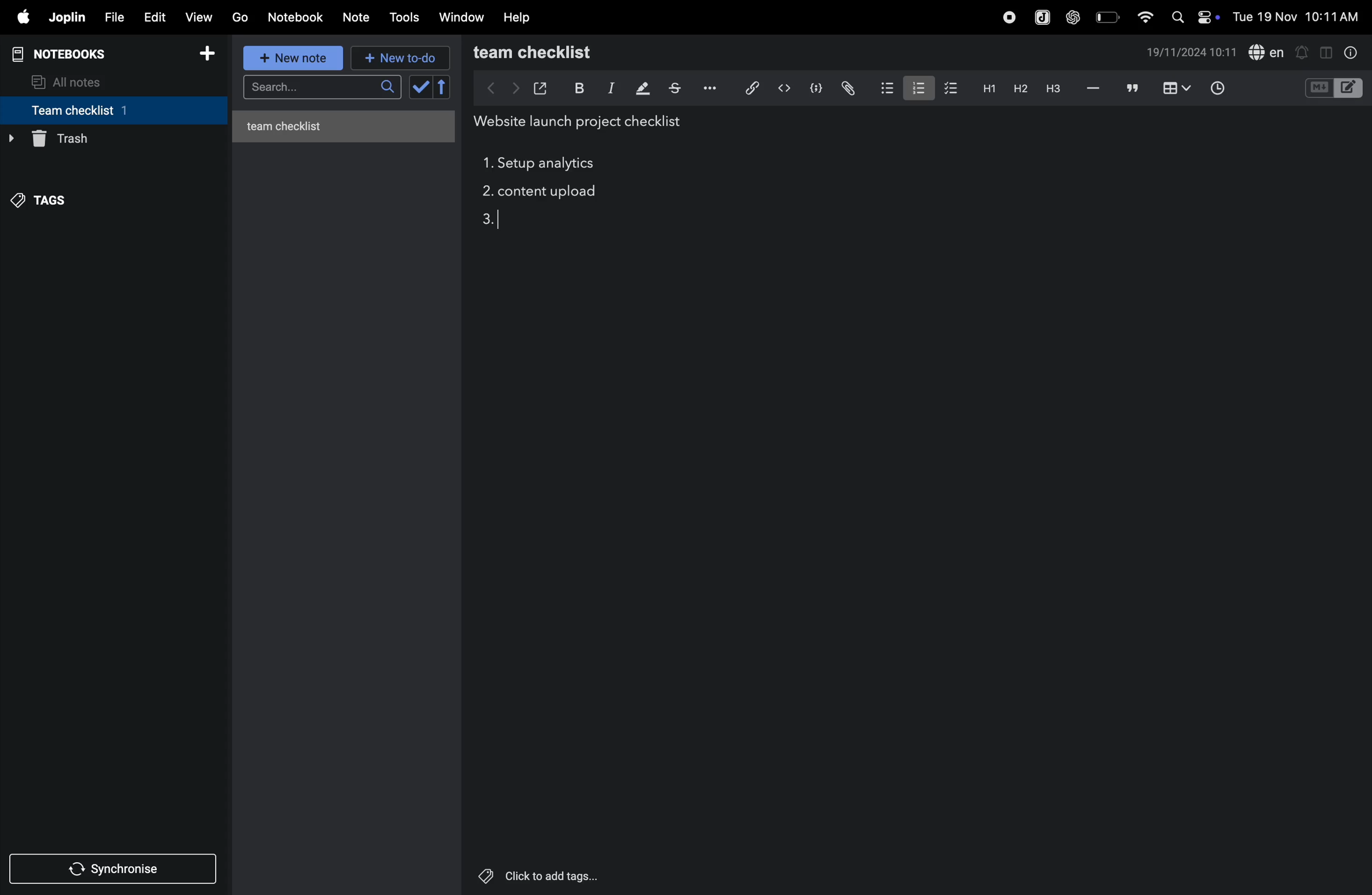  What do you see at coordinates (986, 88) in the screenshot?
I see `heading 2` at bounding box center [986, 88].